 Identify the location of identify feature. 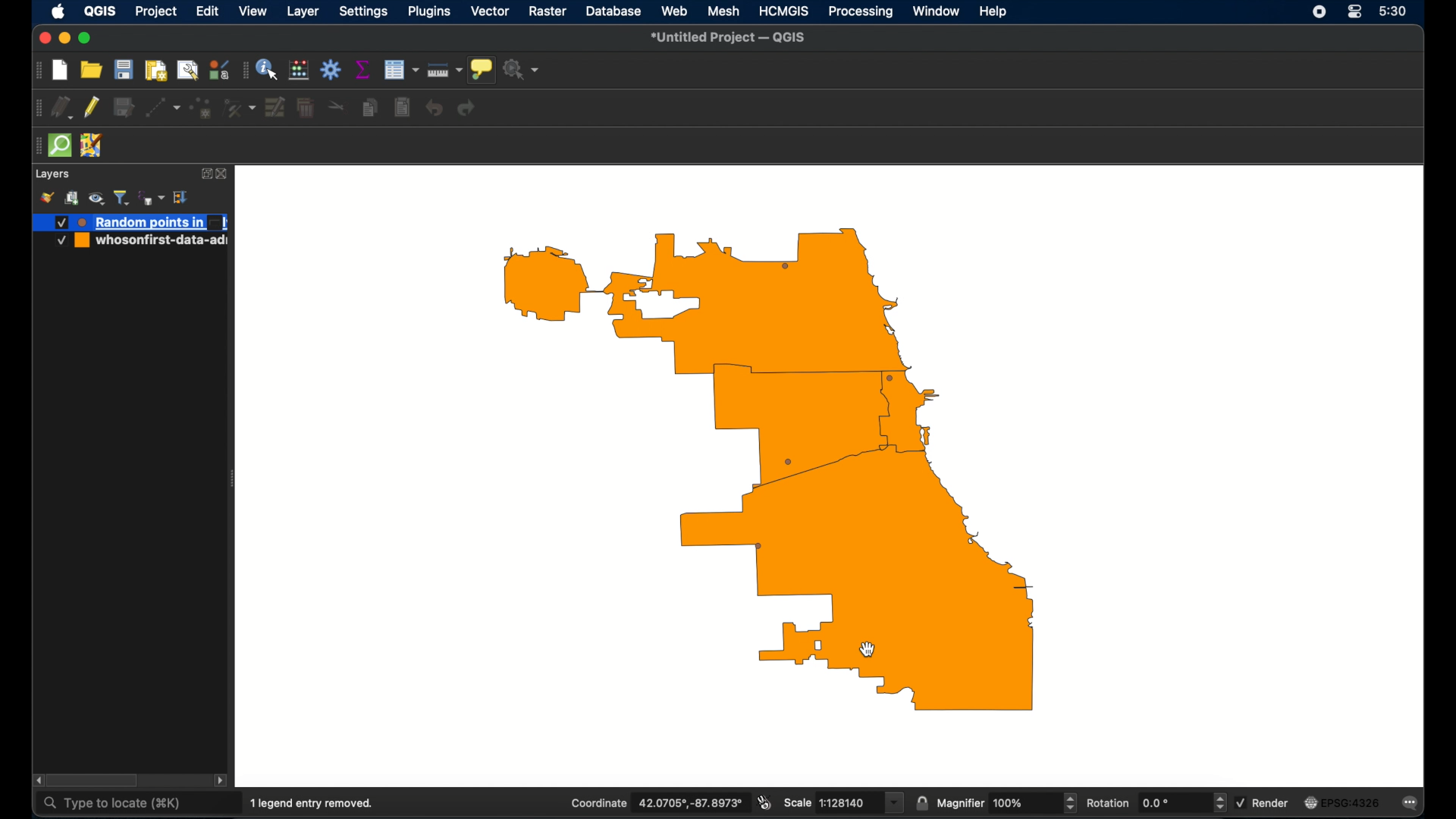
(268, 70).